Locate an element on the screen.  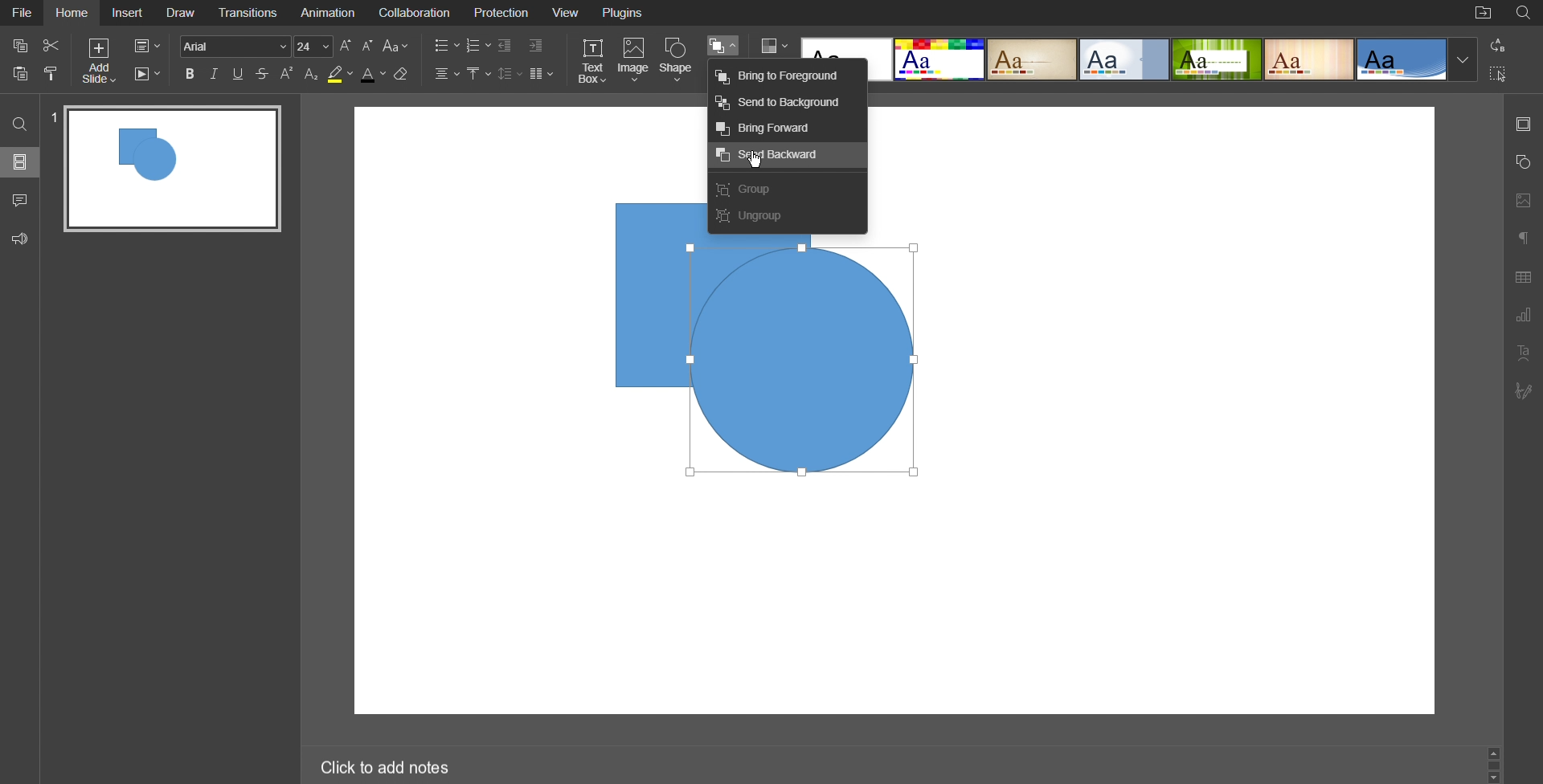
24 is located at coordinates (313, 47).